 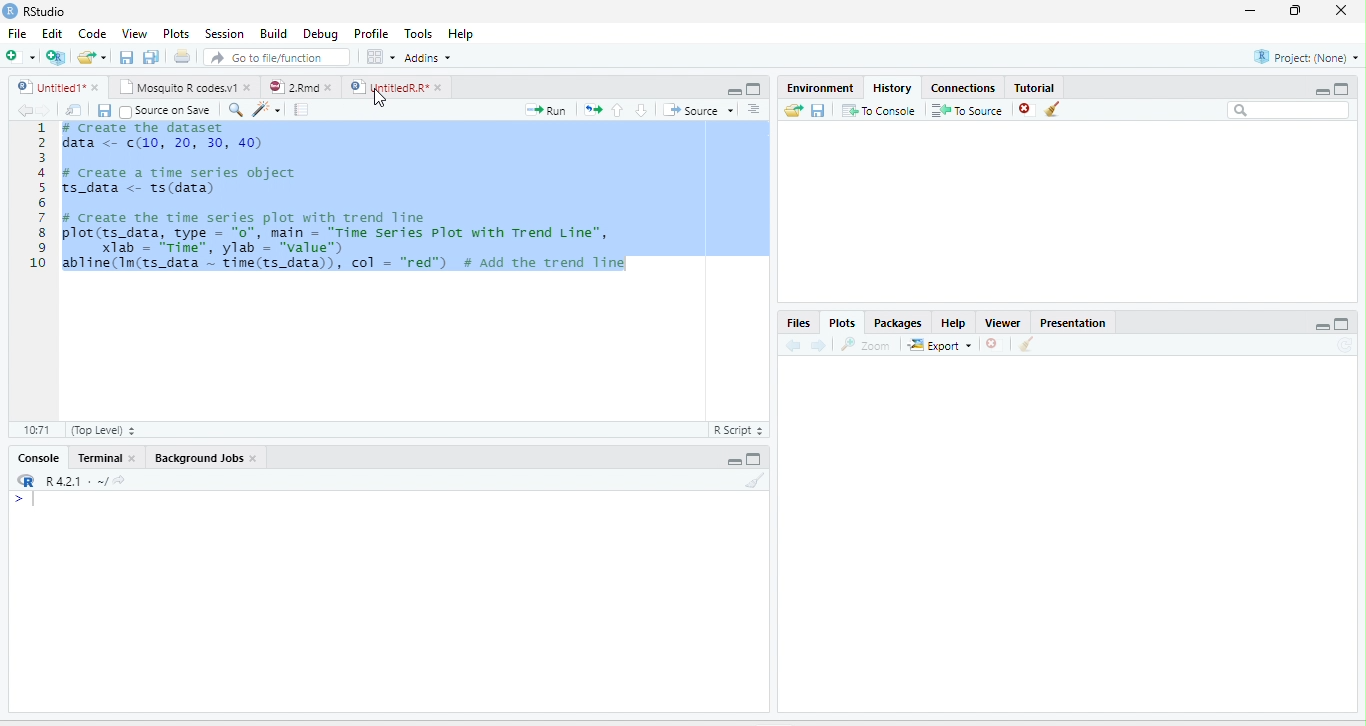 I want to click on Re-run the previous code region, so click(x=592, y=110).